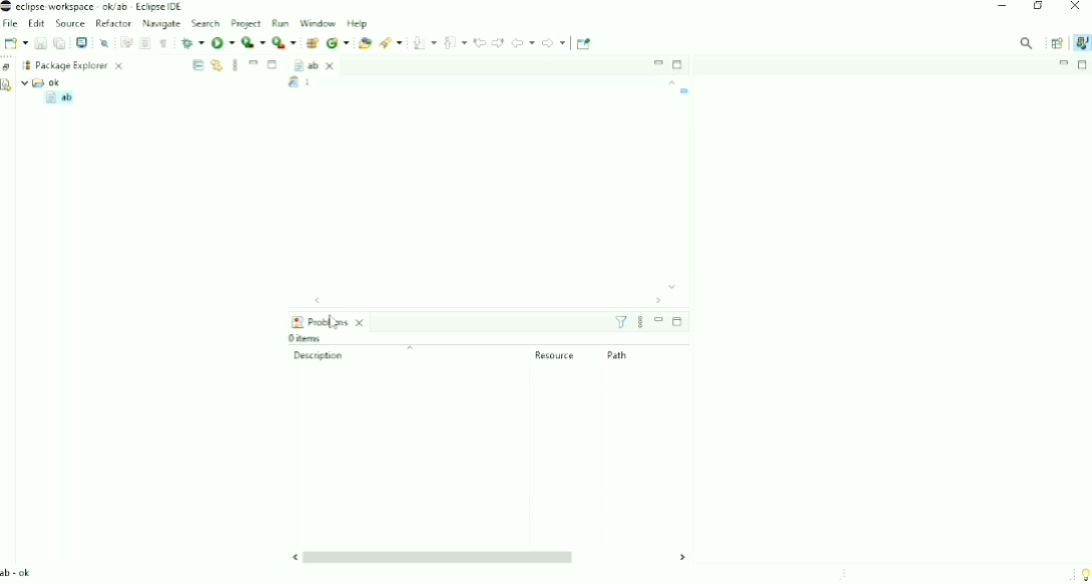  I want to click on Pin Editor, so click(585, 44).